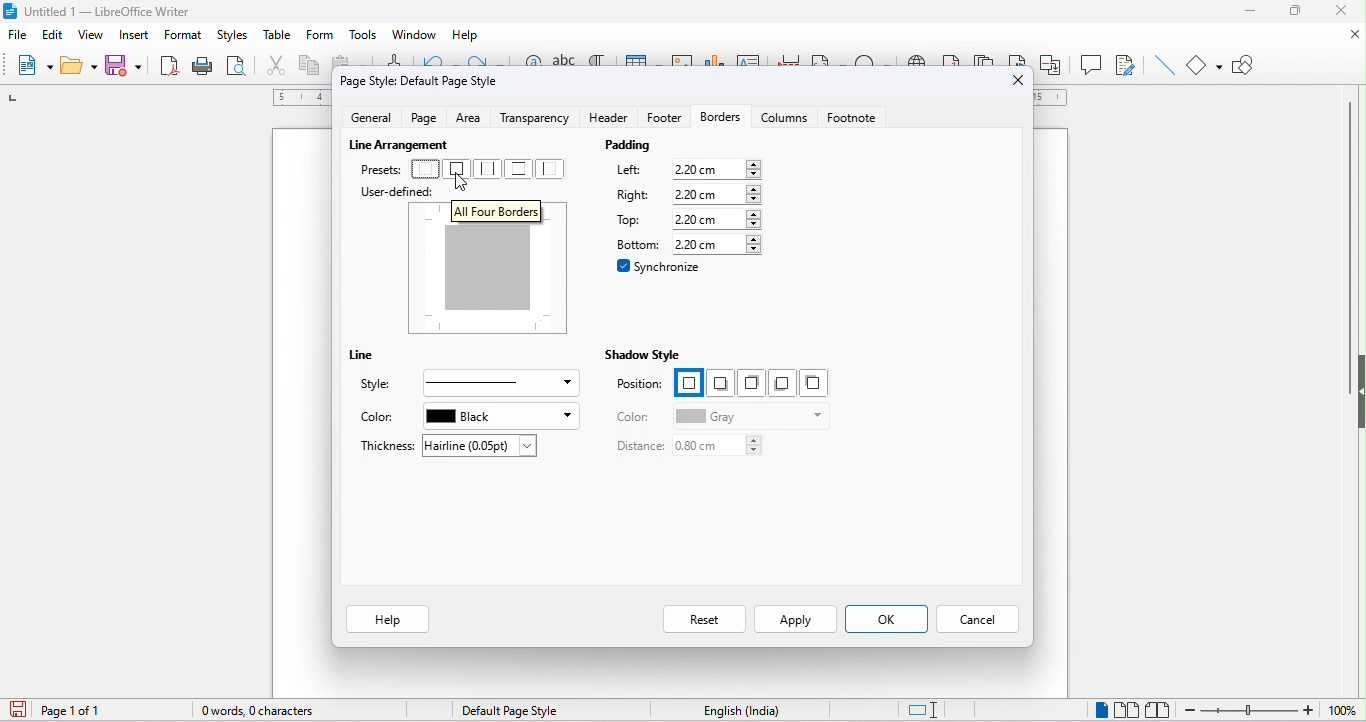  I want to click on export direct as pdf, so click(167, 66).